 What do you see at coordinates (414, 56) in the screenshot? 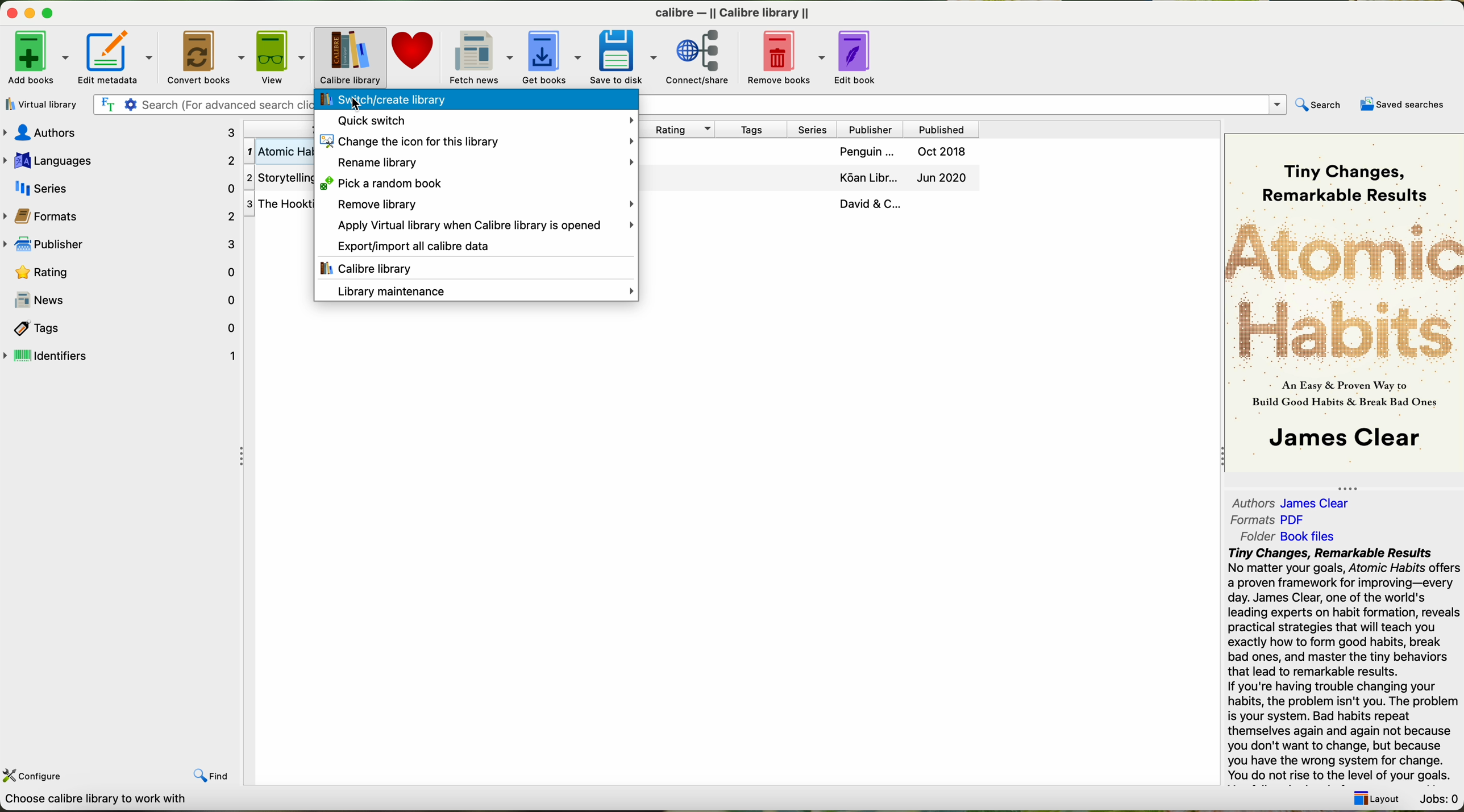
I see `donate` at bounding box center [414, 56].